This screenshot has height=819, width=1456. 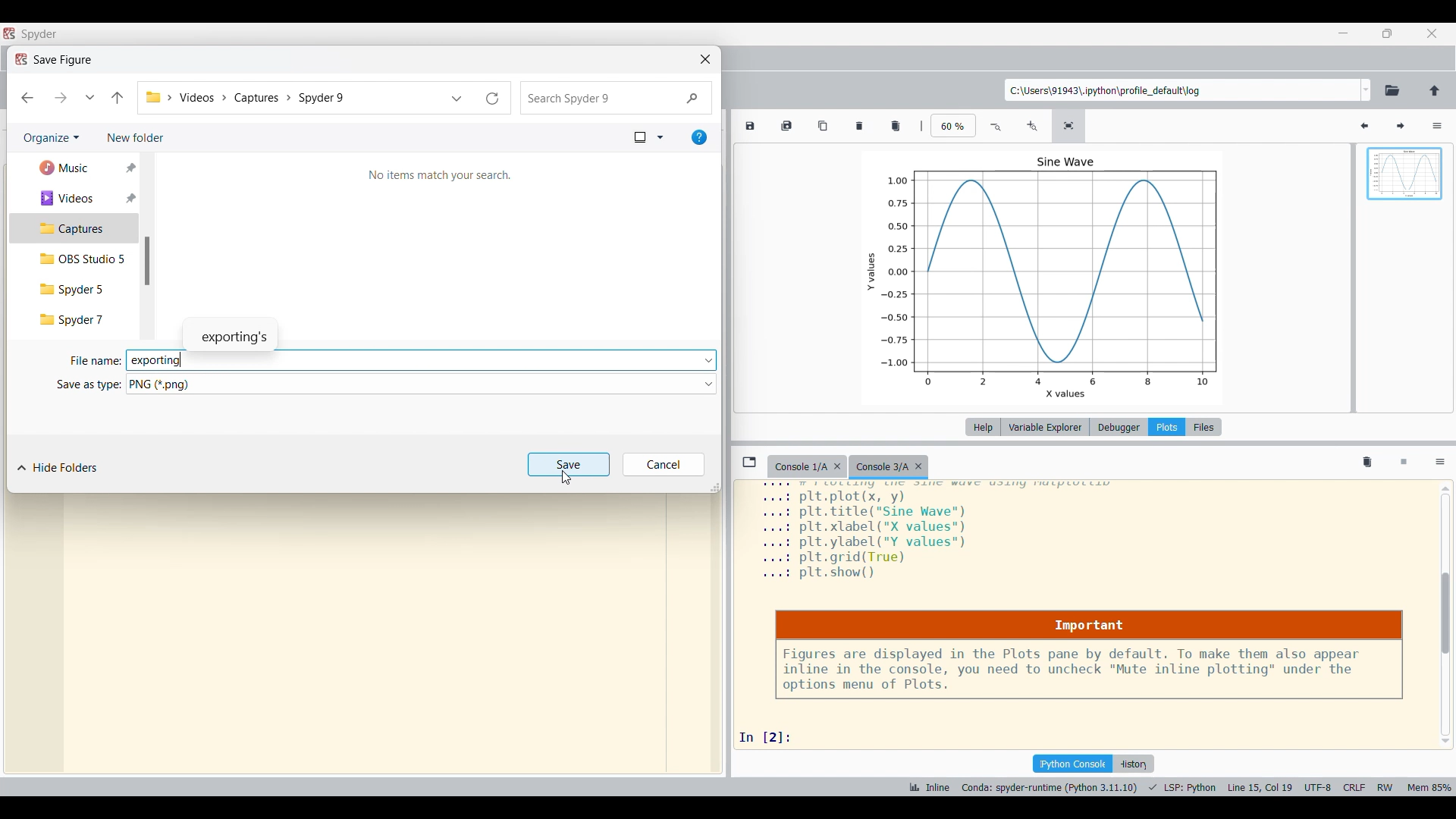 What do you see at coordinates (1432, 33) in the screenshot?
I see `Close interface` at bounding box center [1432, 33].